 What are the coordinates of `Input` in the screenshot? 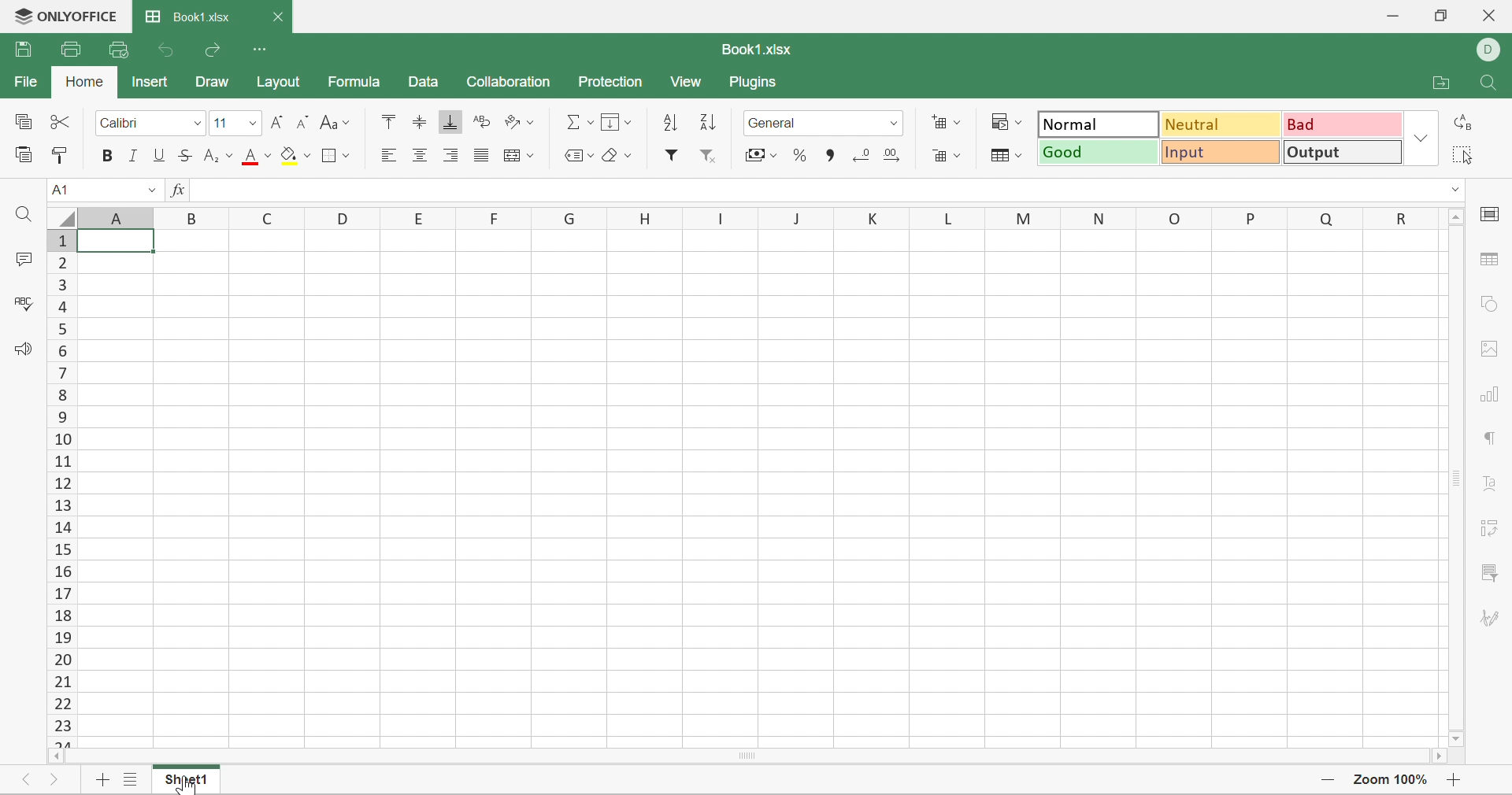 It's located at (1221, 151).